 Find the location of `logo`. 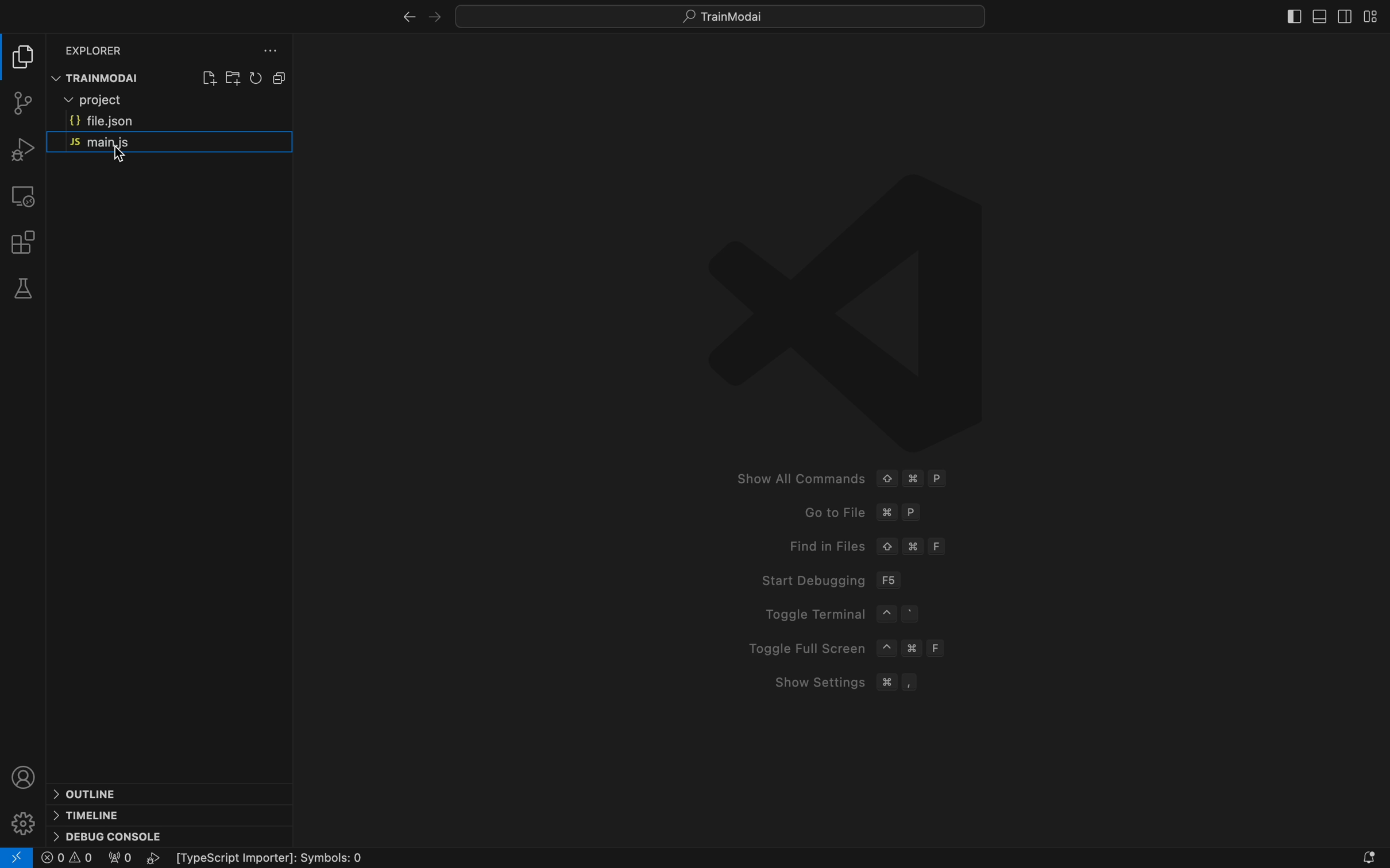

logo is located at coordinates (848, 307).